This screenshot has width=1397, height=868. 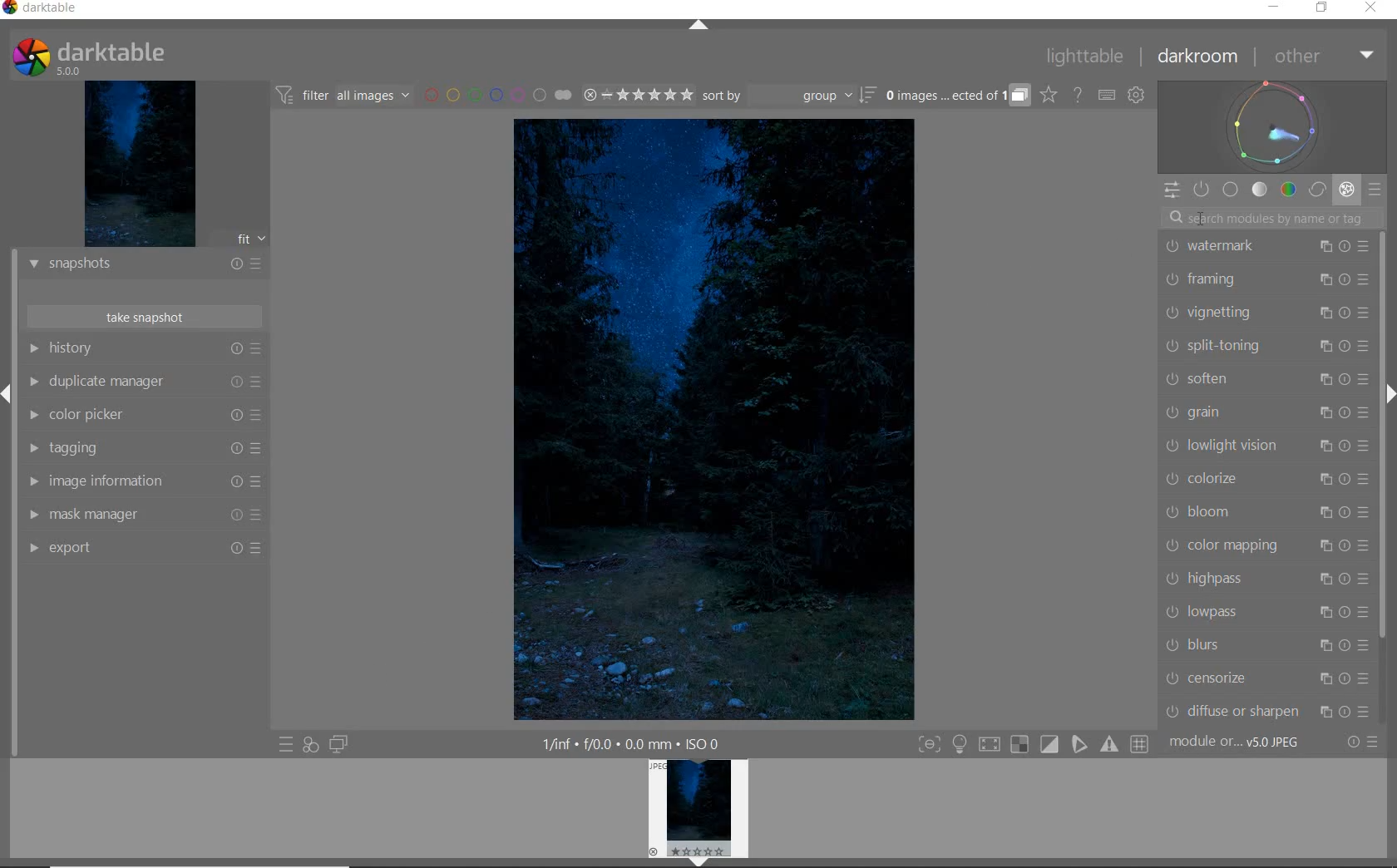 I want to click on HISTORY, so click(x=141, y=348).